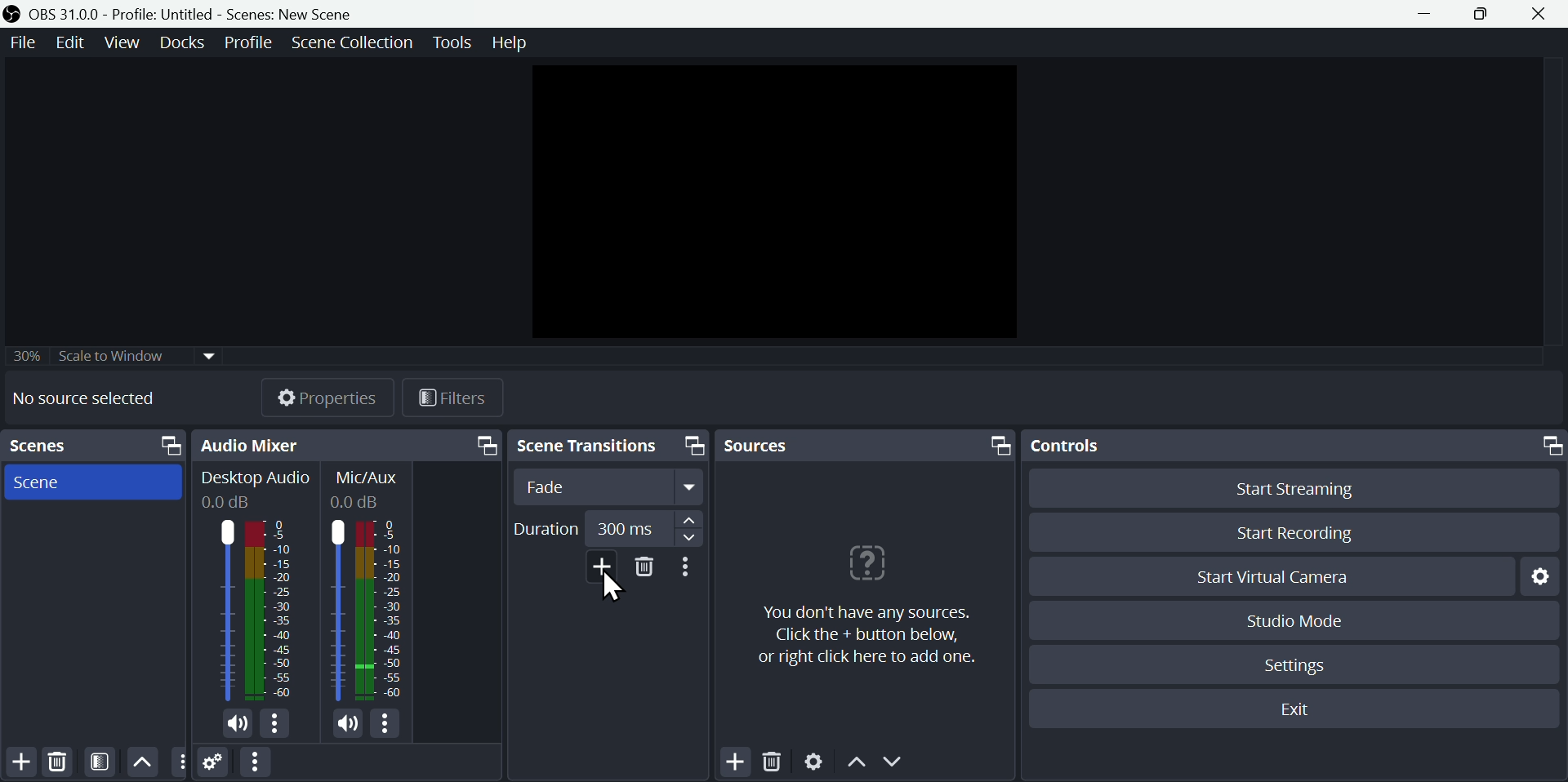 Image resolution: width=1568 pixels, height=782 pixels. What do you see at coordinates (1488, 15) in the screenshot?
I see `Maximise` at bounding box center [1488, 15].